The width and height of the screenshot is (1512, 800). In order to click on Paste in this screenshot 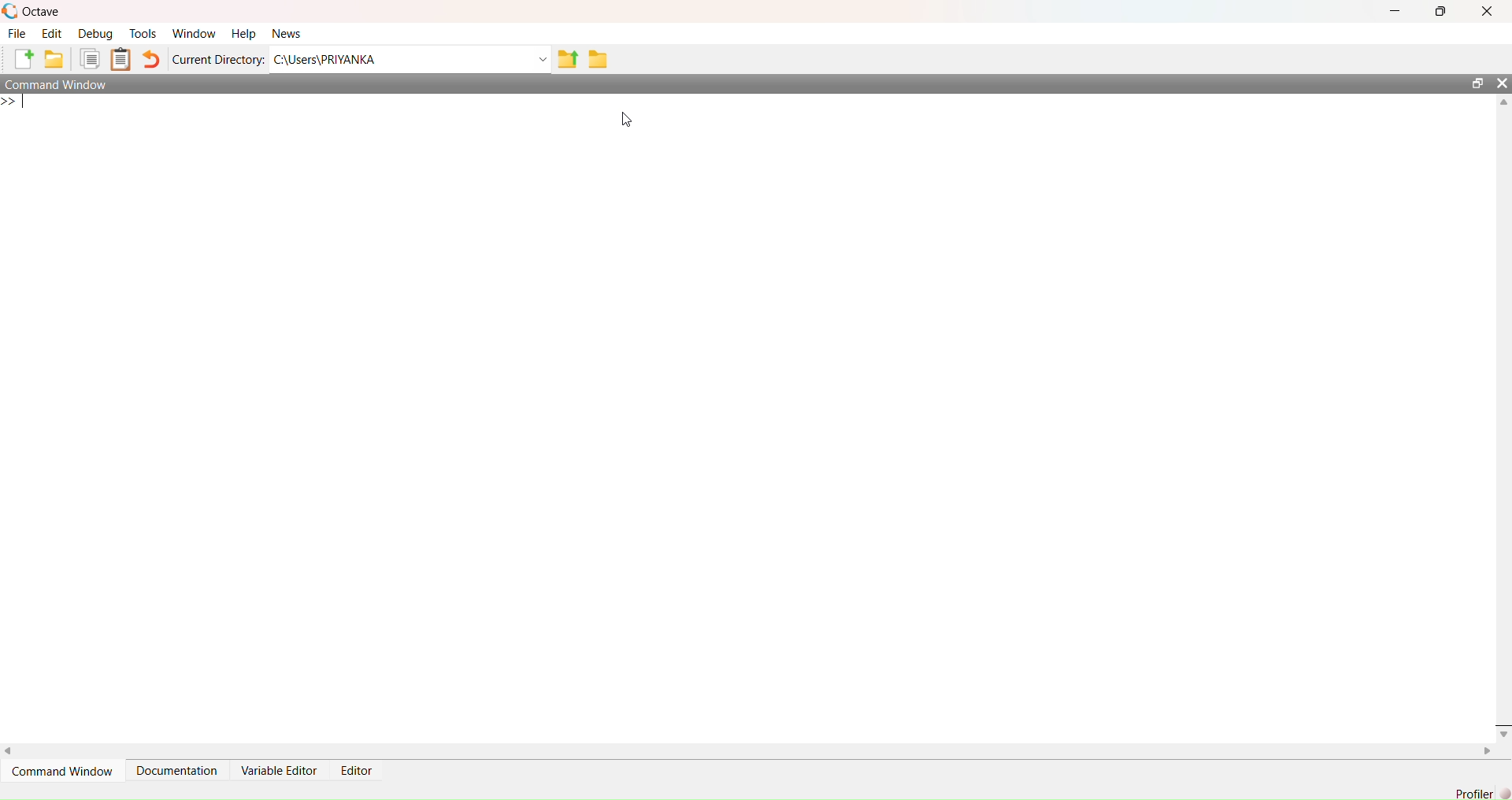, I will do `click(121, 59)`.